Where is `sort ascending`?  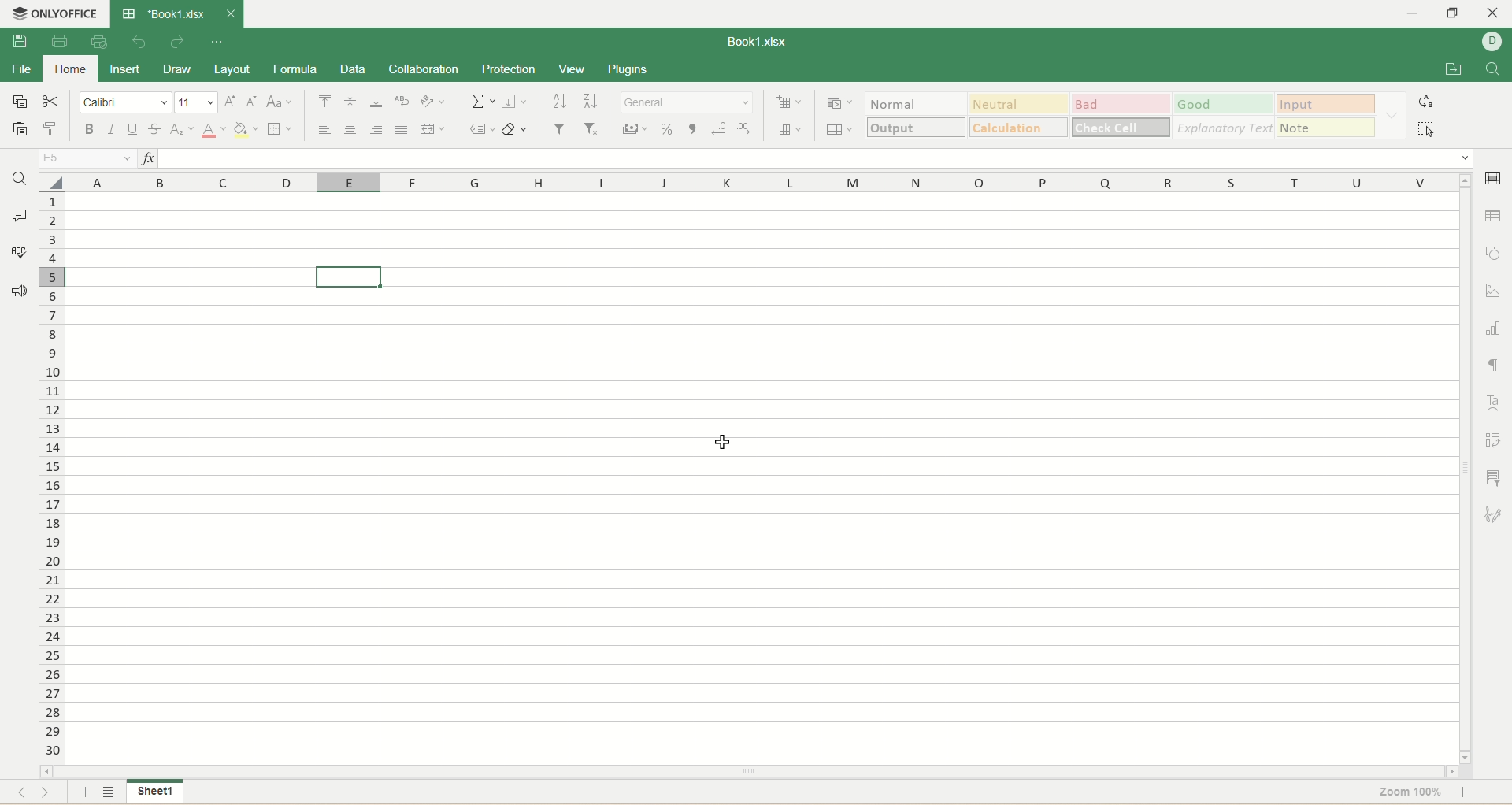 sort ascending is located at coordinates (561, 102).